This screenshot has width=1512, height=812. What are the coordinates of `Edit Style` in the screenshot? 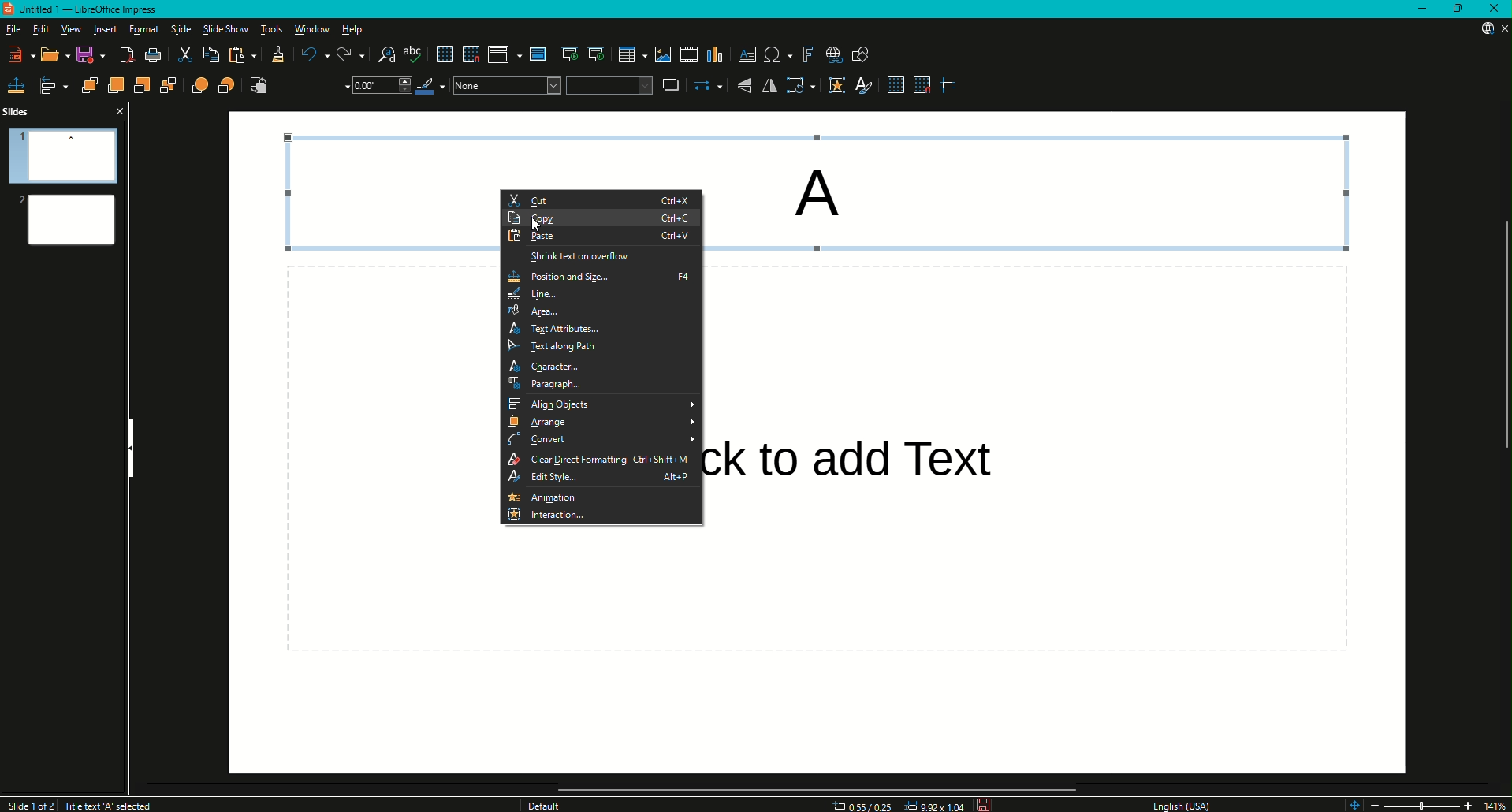 It's located at (602, 477).